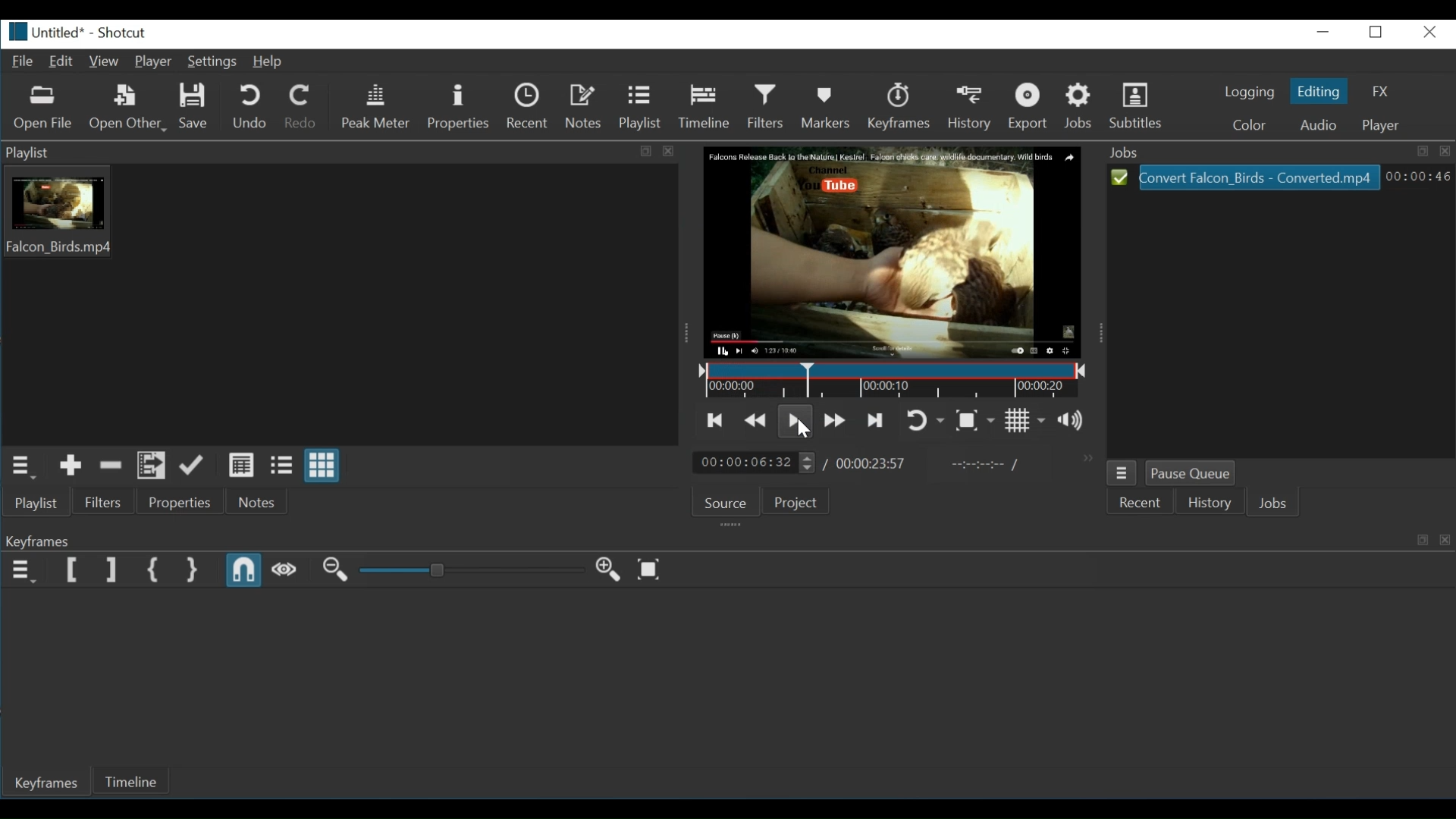  What do you see at coordinates (1381, 125) in the screenshot?
I see `Player` at bounding box center [1381, 125].